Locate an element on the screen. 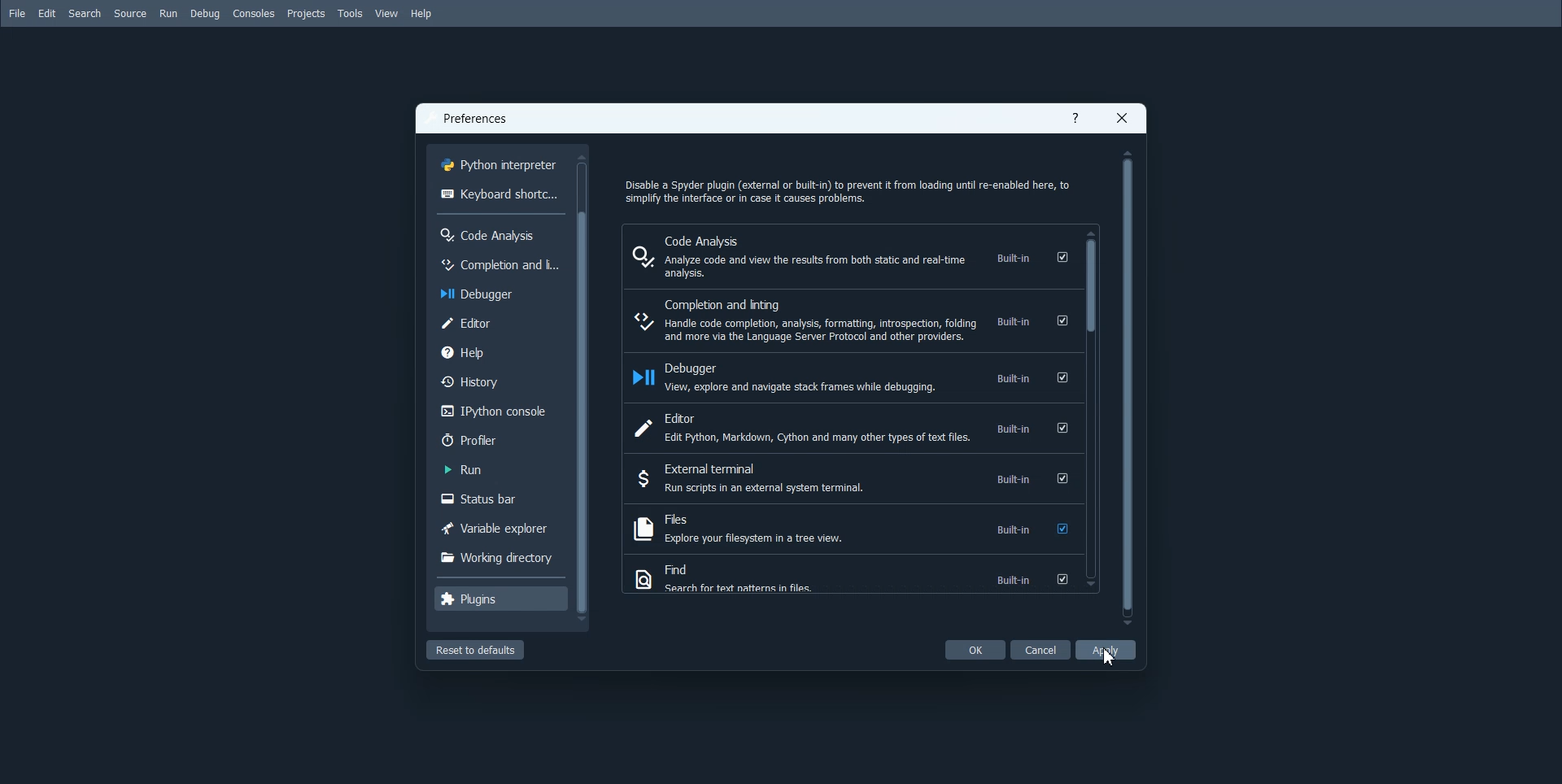 This screenshot has height=784, width=1562. Run is located at coordinates (168, 14).